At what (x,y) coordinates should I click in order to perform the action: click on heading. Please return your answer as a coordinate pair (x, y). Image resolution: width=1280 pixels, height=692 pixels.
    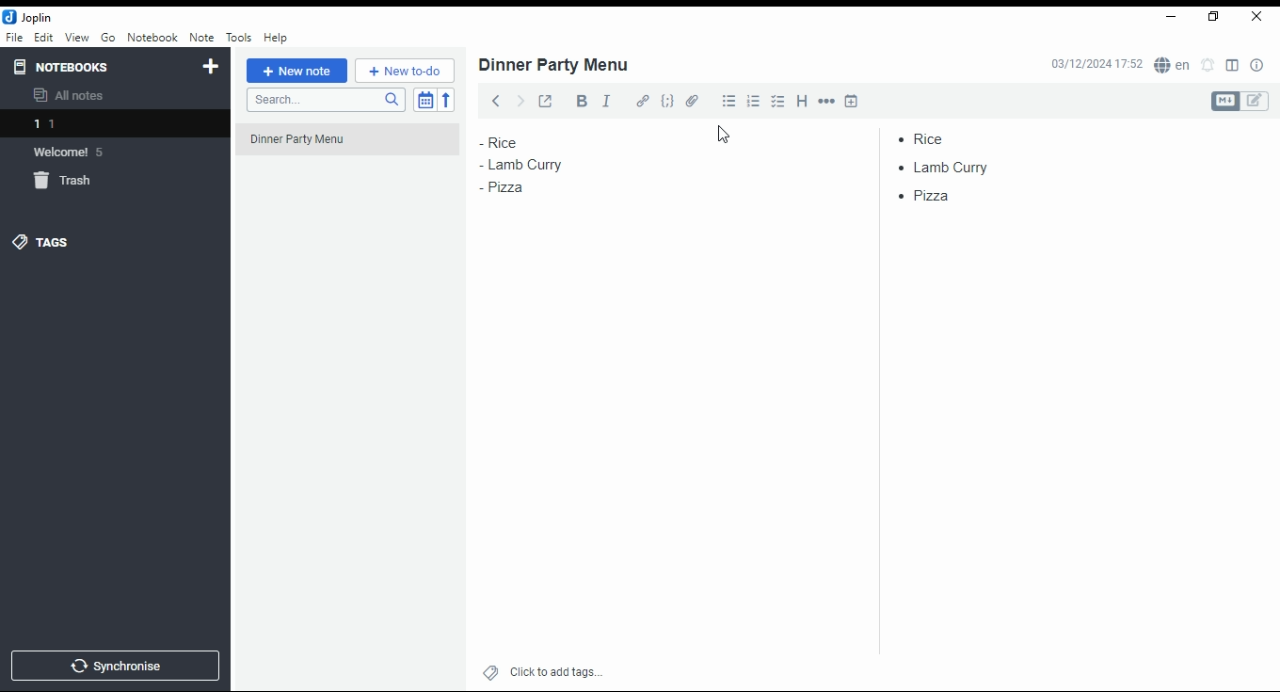
    Looking at the image, I should click on (803, 102).